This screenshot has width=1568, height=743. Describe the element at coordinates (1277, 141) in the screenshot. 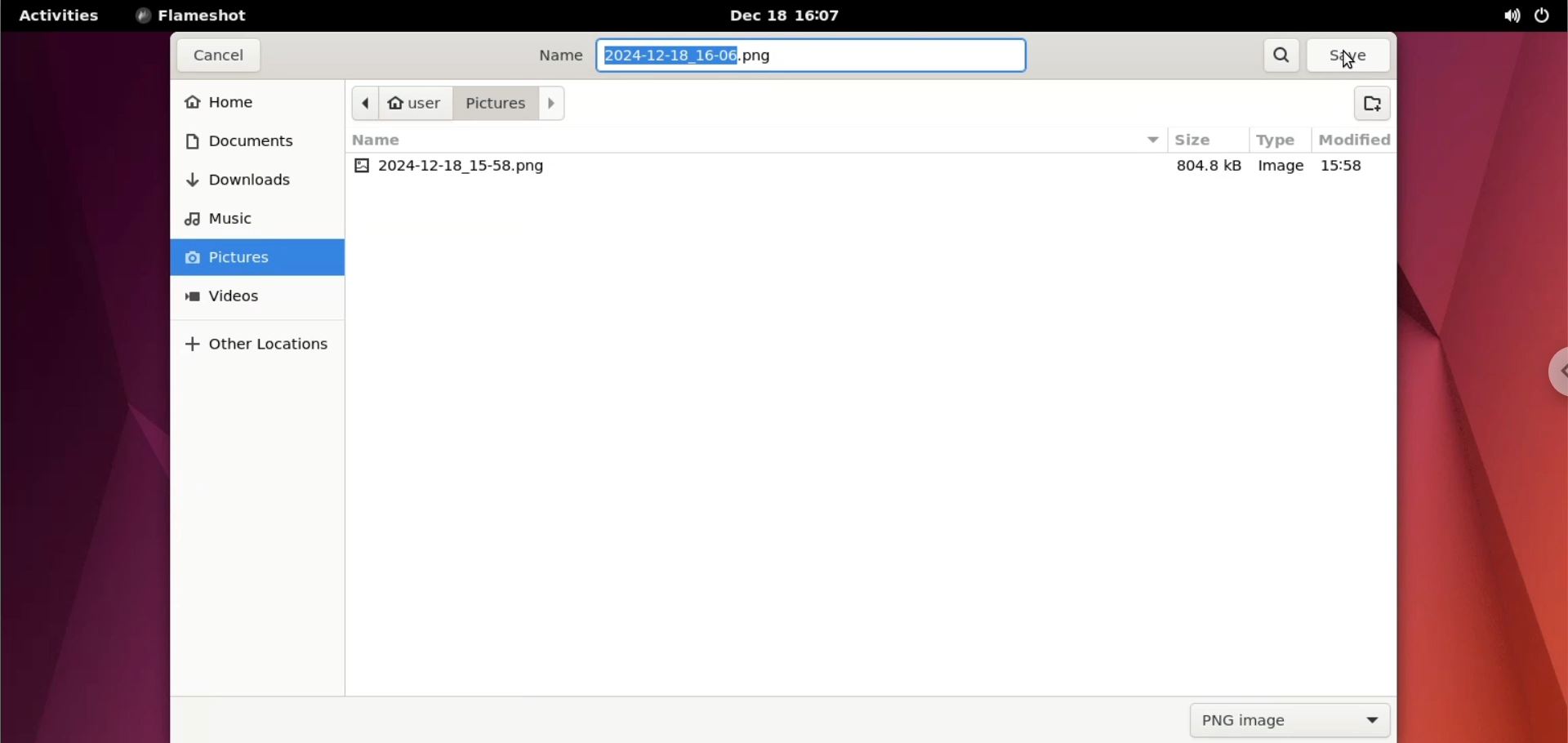

I see `type label` at that location.